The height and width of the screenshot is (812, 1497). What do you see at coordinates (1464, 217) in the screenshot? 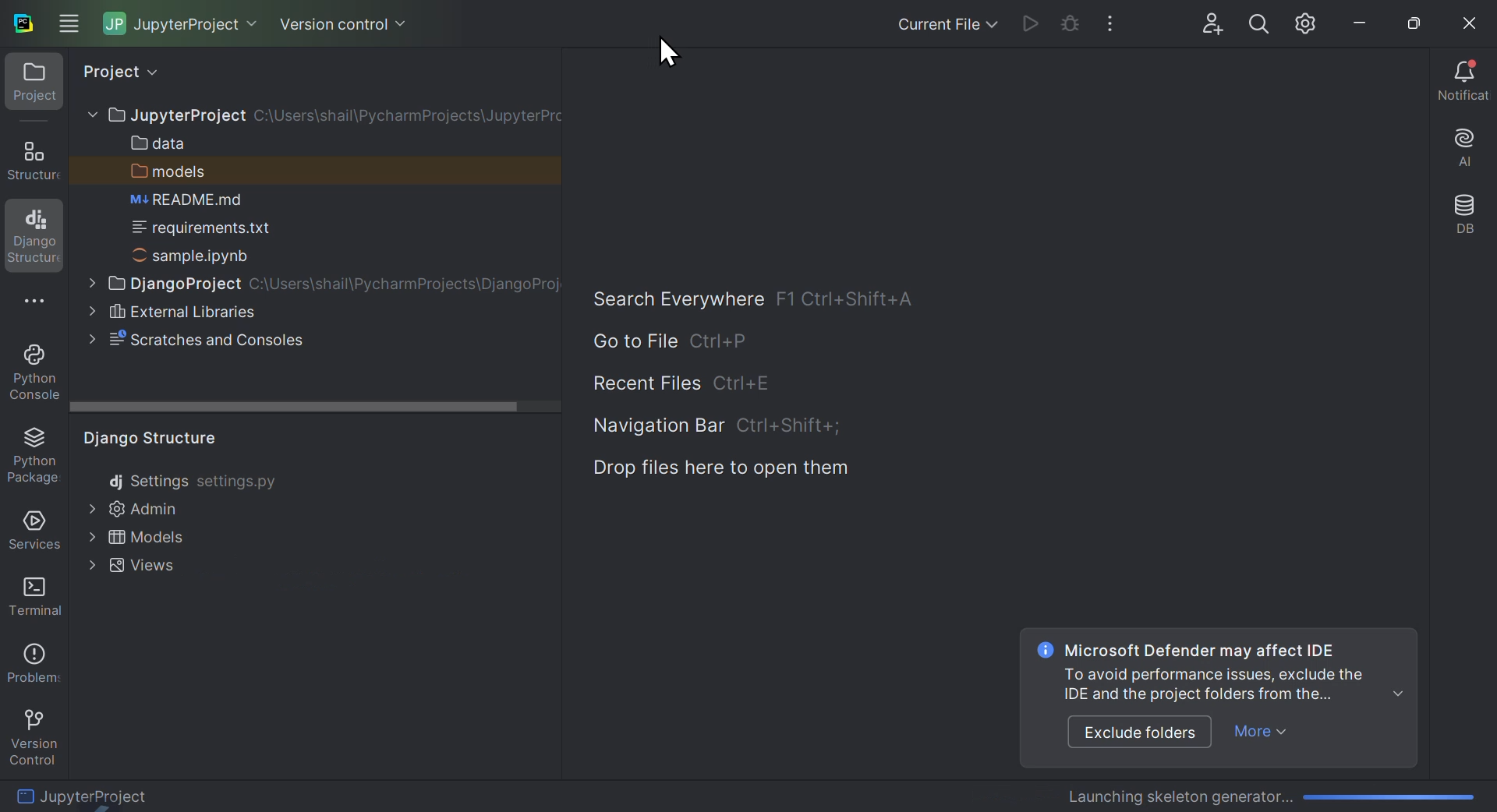
I see `Database` at bounding box center [1464, 217].